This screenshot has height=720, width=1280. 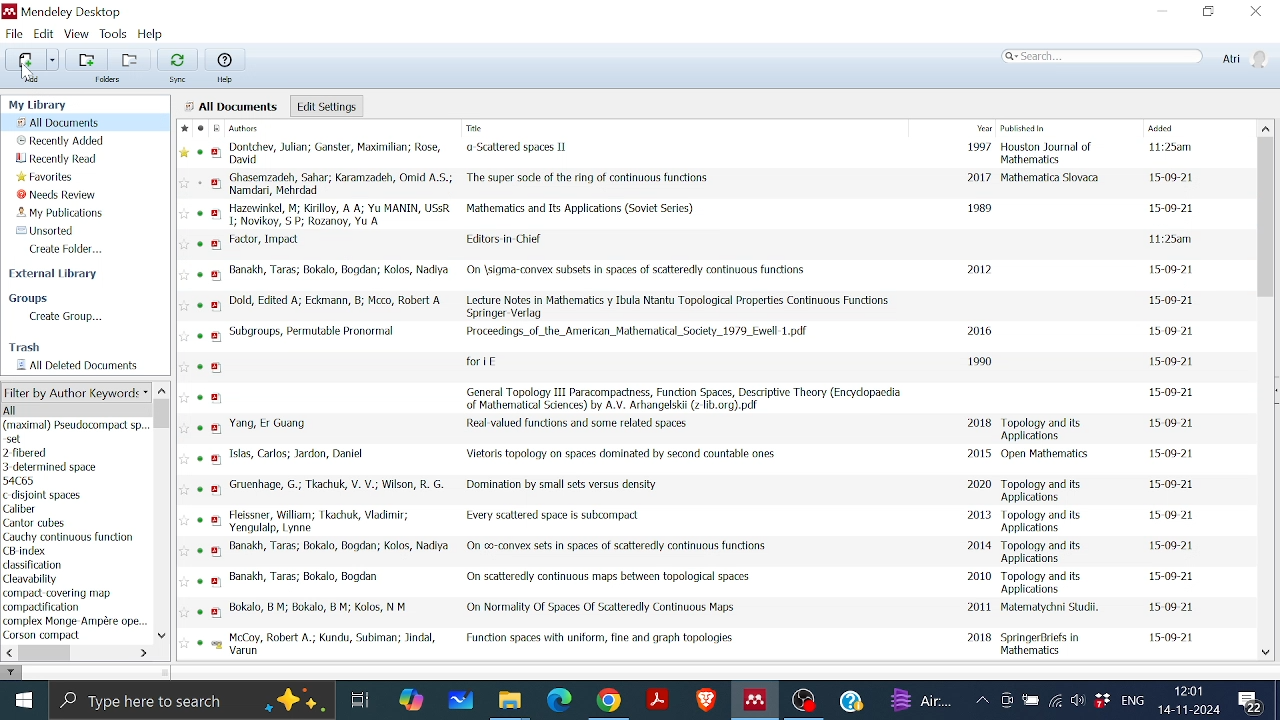 What do you see at coordinates (605, 607) in the screenshot?
I see `Title` at bounding box center [605, 607].